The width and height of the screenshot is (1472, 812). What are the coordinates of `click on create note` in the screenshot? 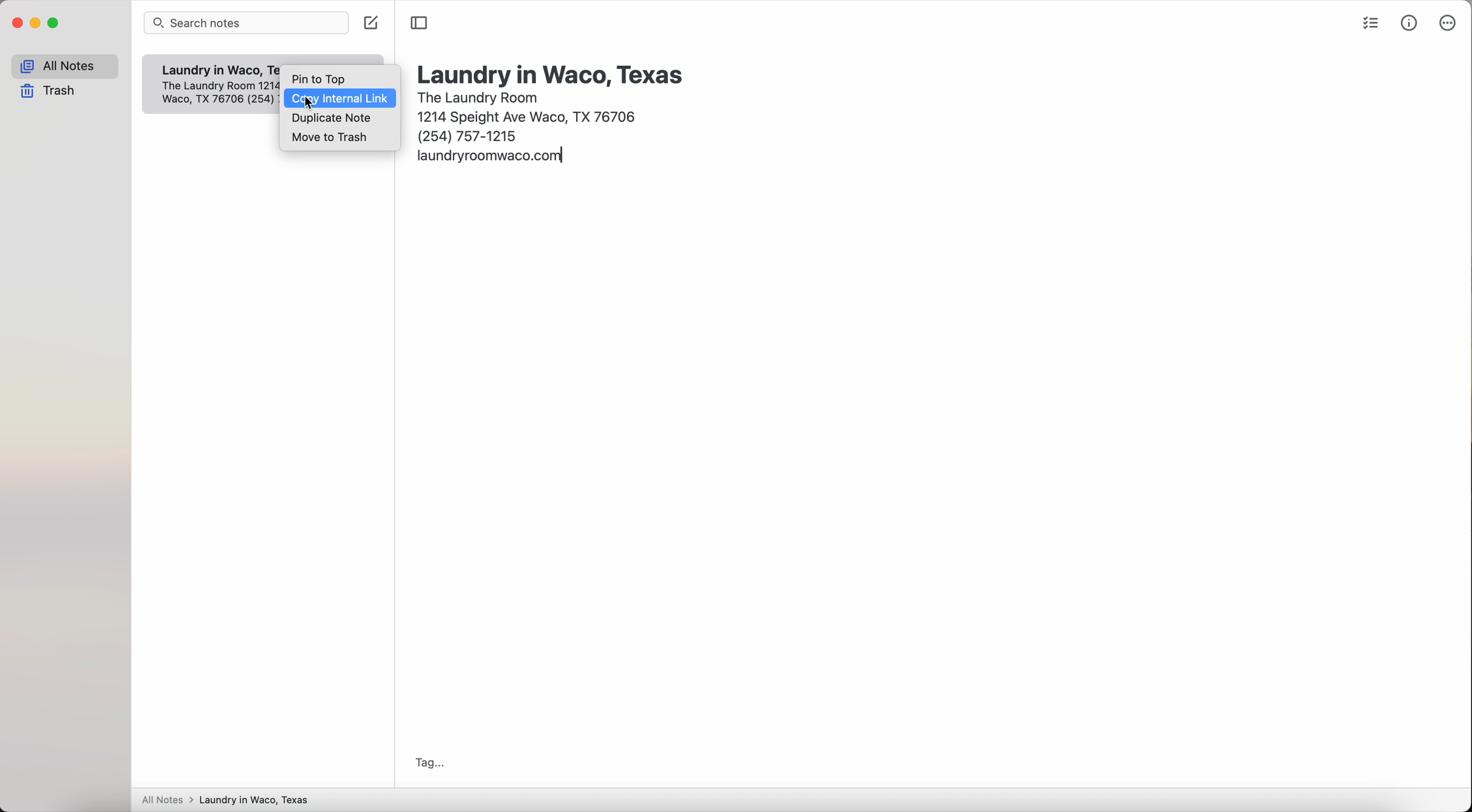 It's located at (373, 23).